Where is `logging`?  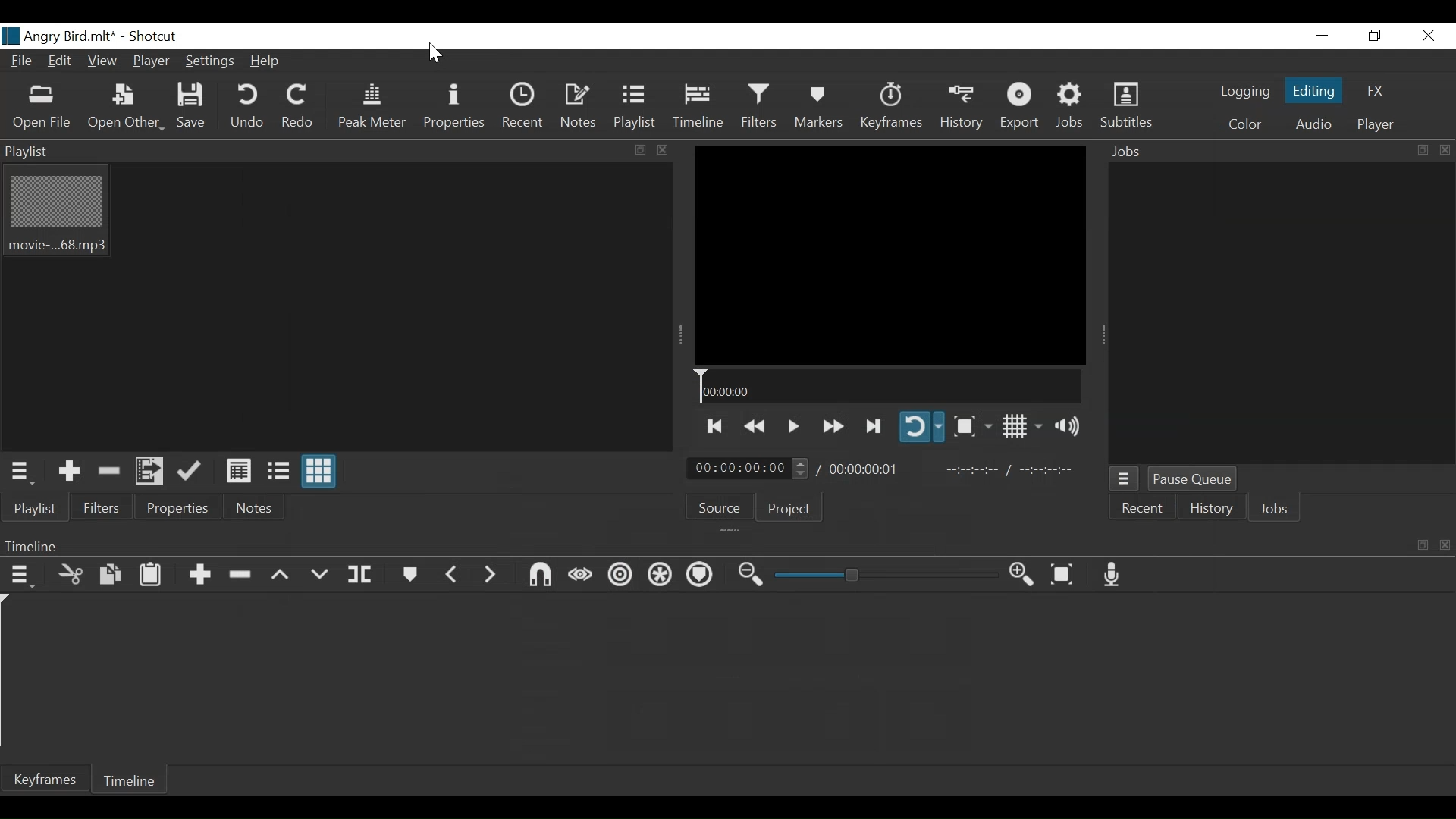 logging is located at coordinates (1243, 93).